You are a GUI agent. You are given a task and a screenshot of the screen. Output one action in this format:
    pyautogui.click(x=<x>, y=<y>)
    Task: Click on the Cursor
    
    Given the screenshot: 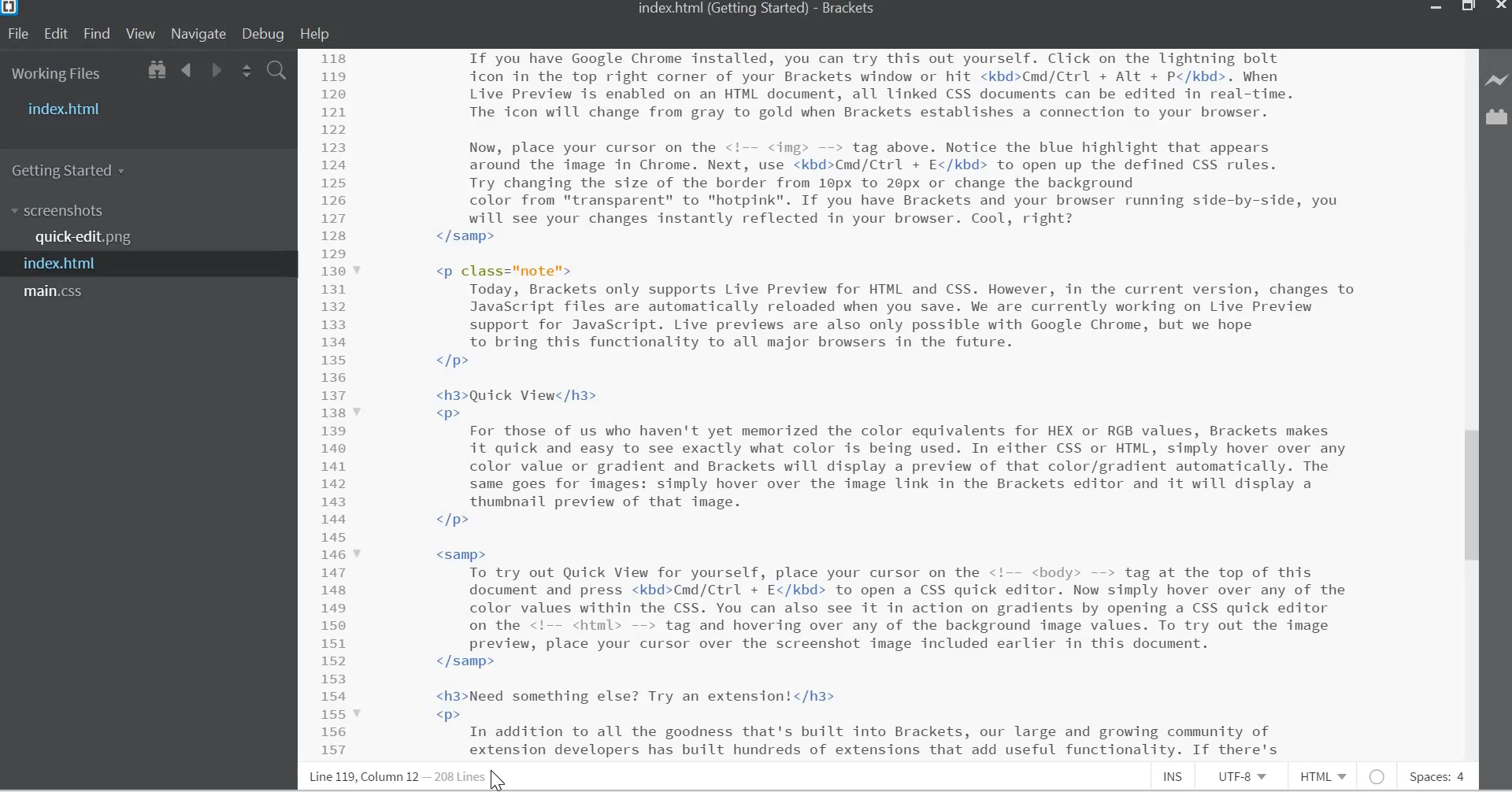 What is the action you would take?
    pyautogui.click(x=498, y=781)
    